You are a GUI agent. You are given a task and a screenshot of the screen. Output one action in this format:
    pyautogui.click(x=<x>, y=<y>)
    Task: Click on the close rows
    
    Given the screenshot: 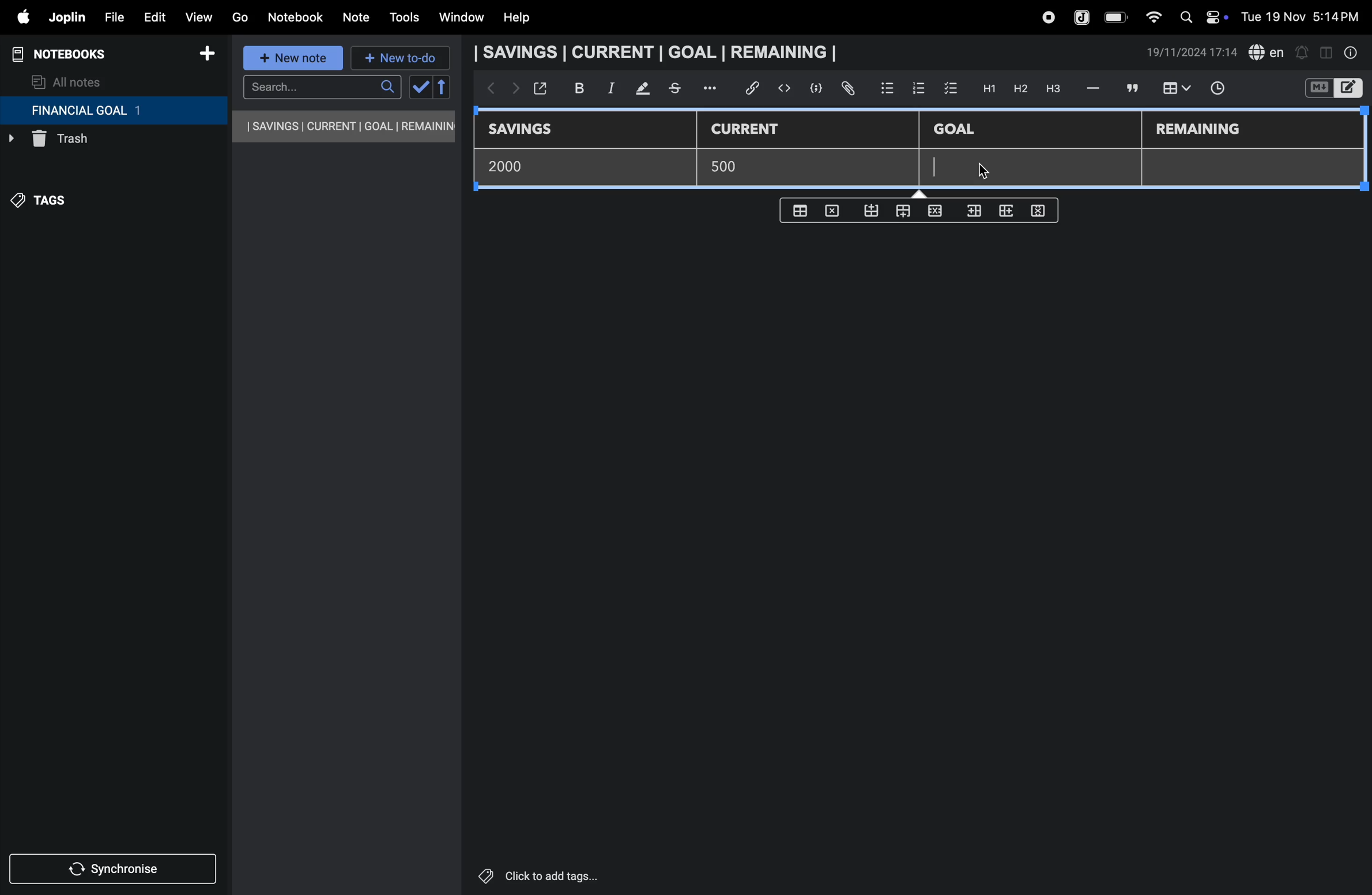 What is the action you would take?
    pyautogui.click(x=933, y=213)
    